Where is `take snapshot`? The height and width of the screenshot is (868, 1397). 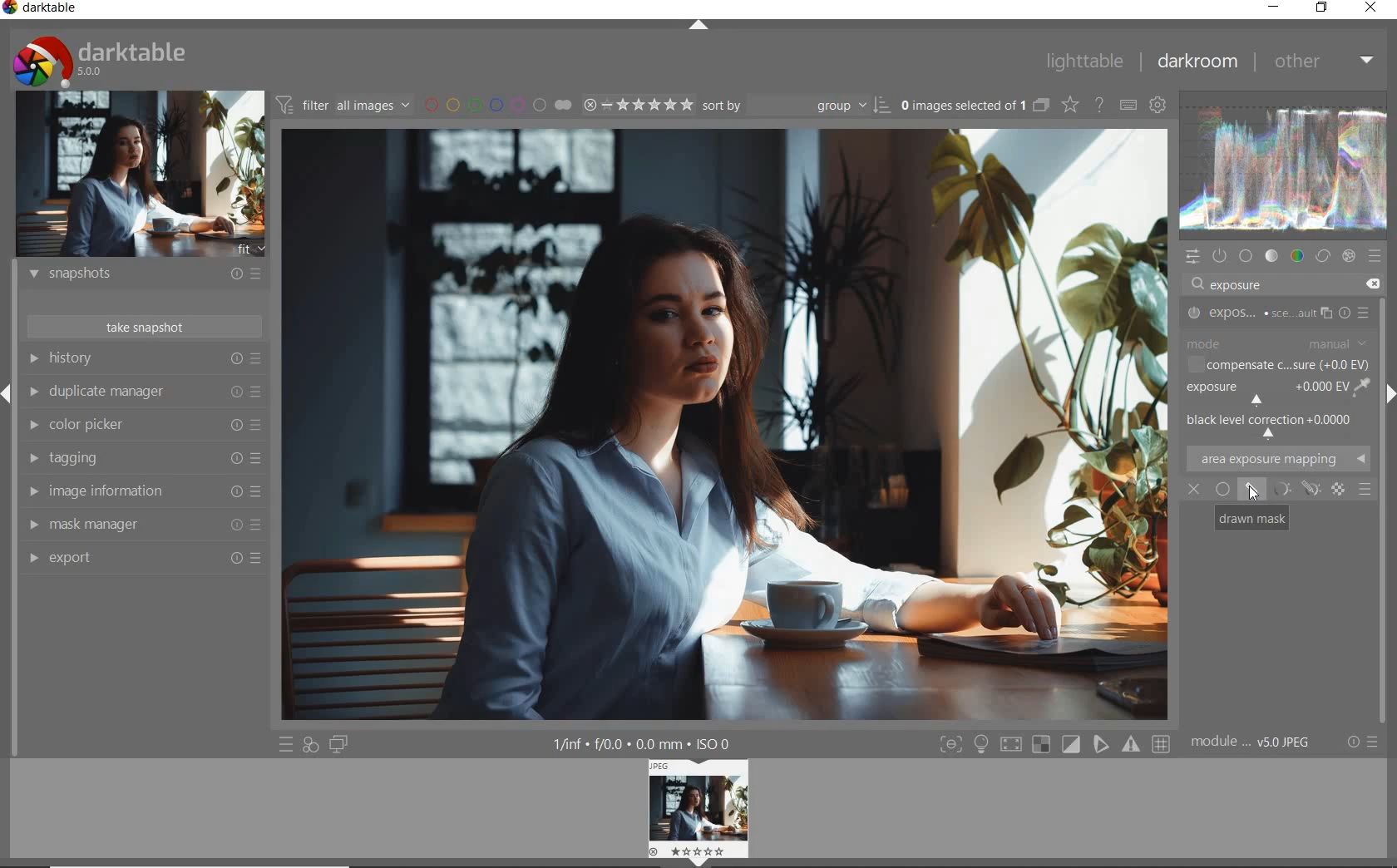 take snapshot is located at coordinates (146, 327).